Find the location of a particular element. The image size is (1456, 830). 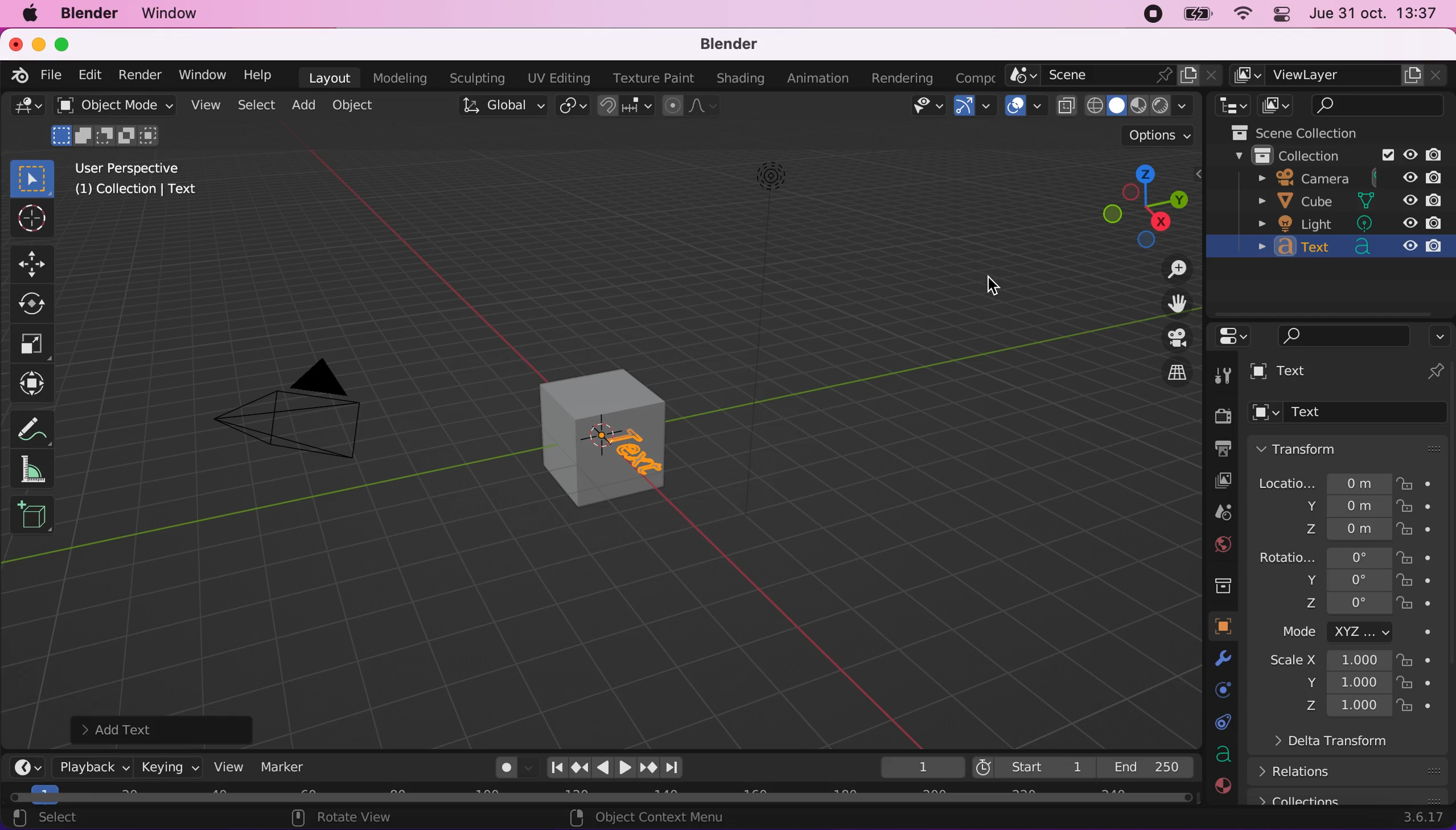

object context menu is located at coordinates (652, 819).